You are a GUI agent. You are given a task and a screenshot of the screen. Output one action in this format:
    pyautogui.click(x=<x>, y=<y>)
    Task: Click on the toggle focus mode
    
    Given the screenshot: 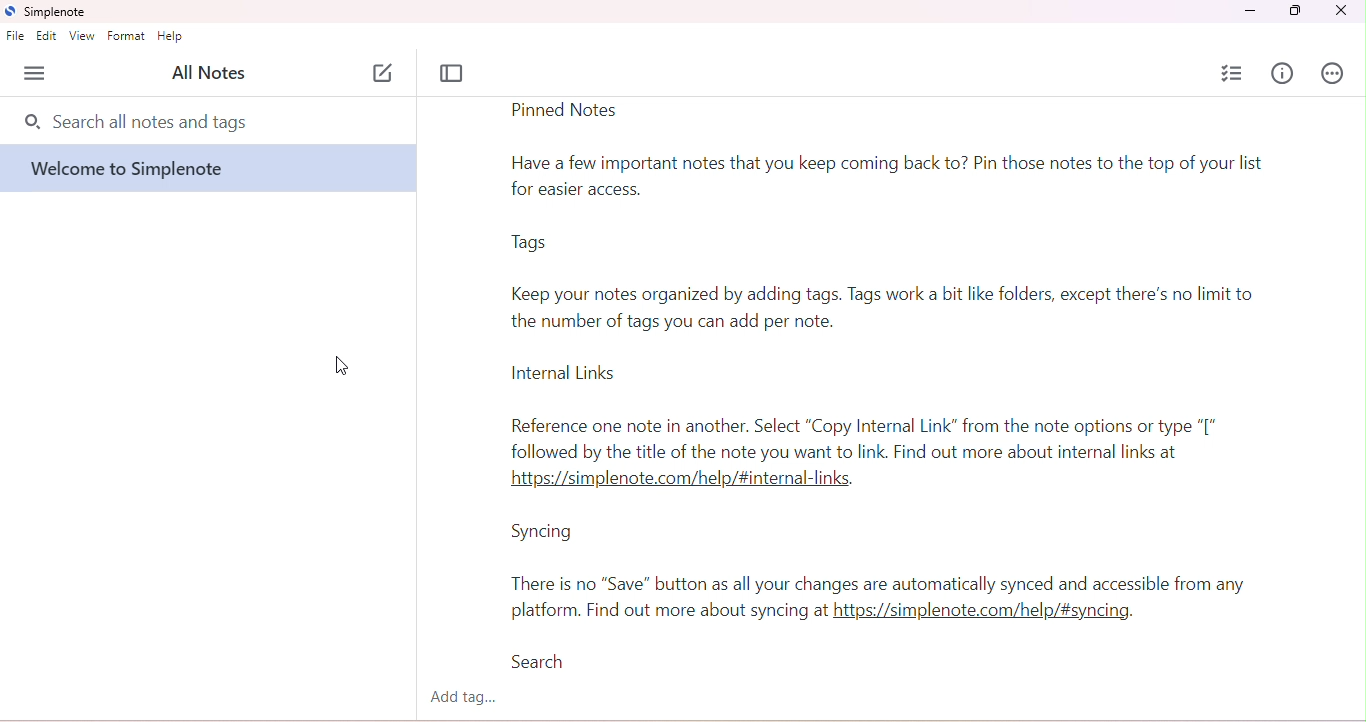 What is the action you would take?
    pyautogui.click(x=454, y=74)
    